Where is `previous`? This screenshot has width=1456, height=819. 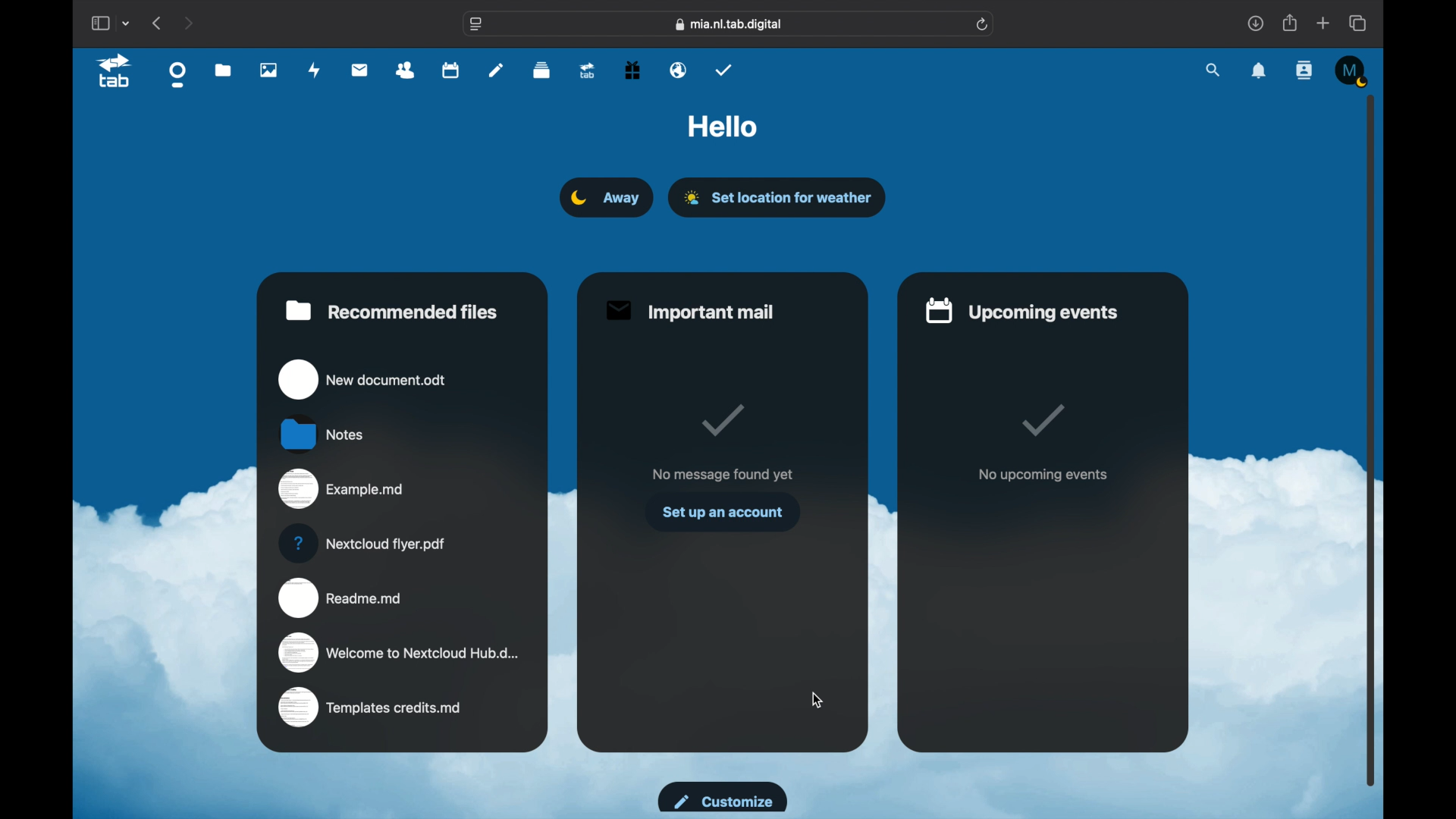 previous is located at coordinates (156, 22).